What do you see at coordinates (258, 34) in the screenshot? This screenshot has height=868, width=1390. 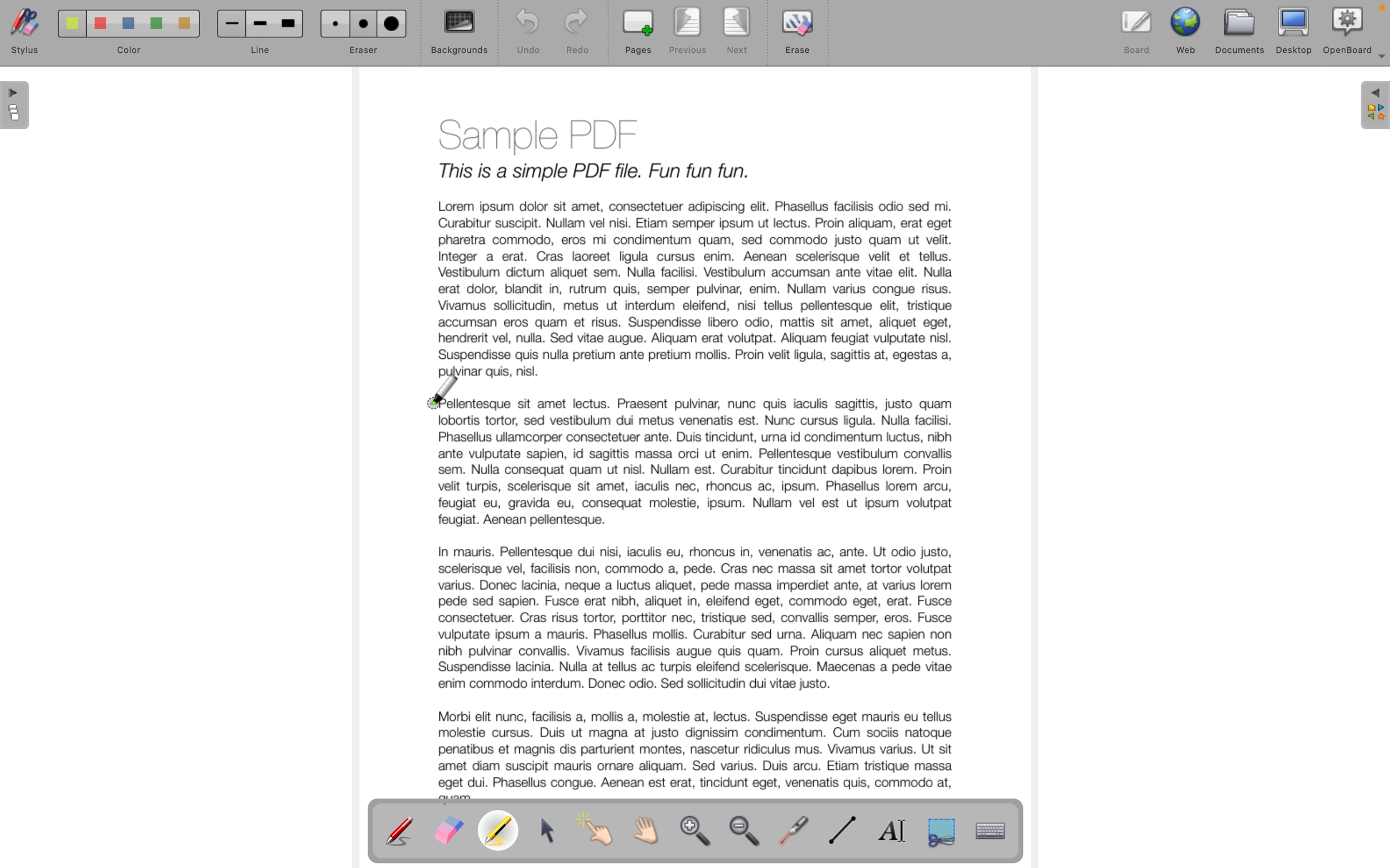 I see `line` at bounding box center [258, 34].